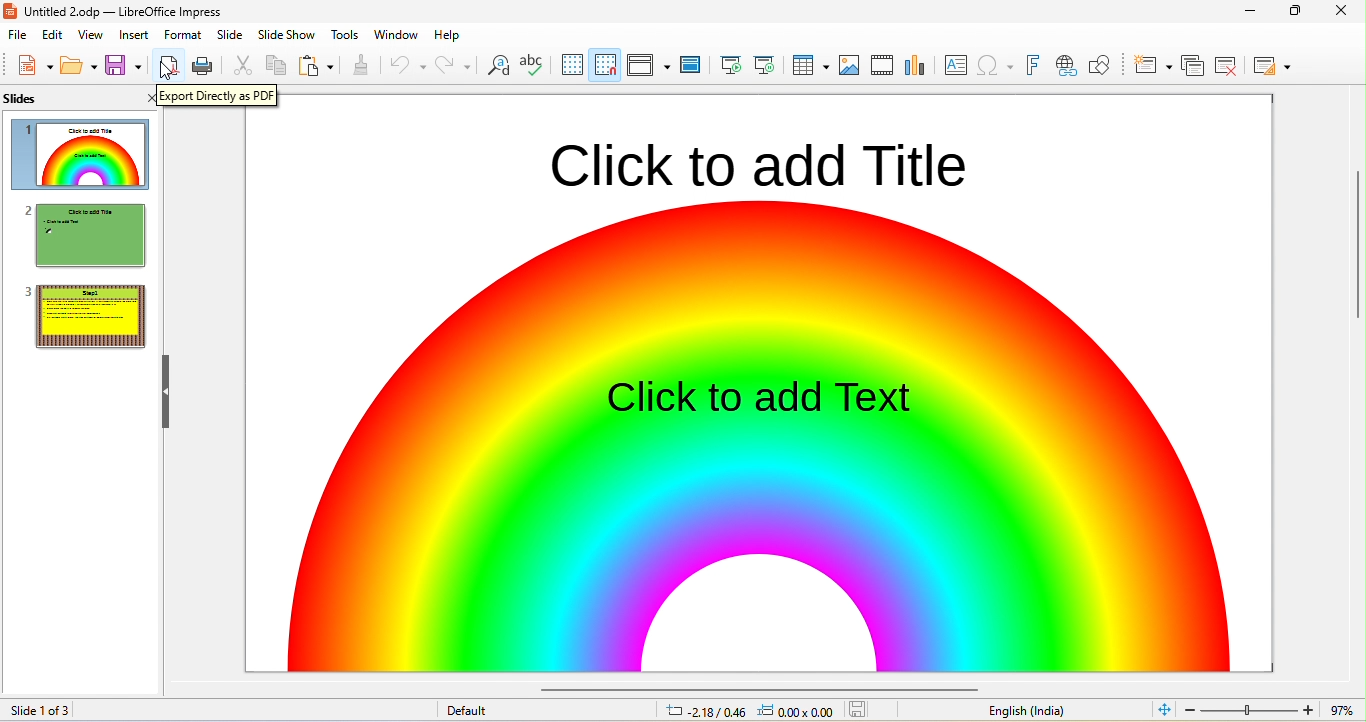 The image size is (1366, 722). Describe the element at coordinates (447, 34) in the screenshot. I see `help` at that location.